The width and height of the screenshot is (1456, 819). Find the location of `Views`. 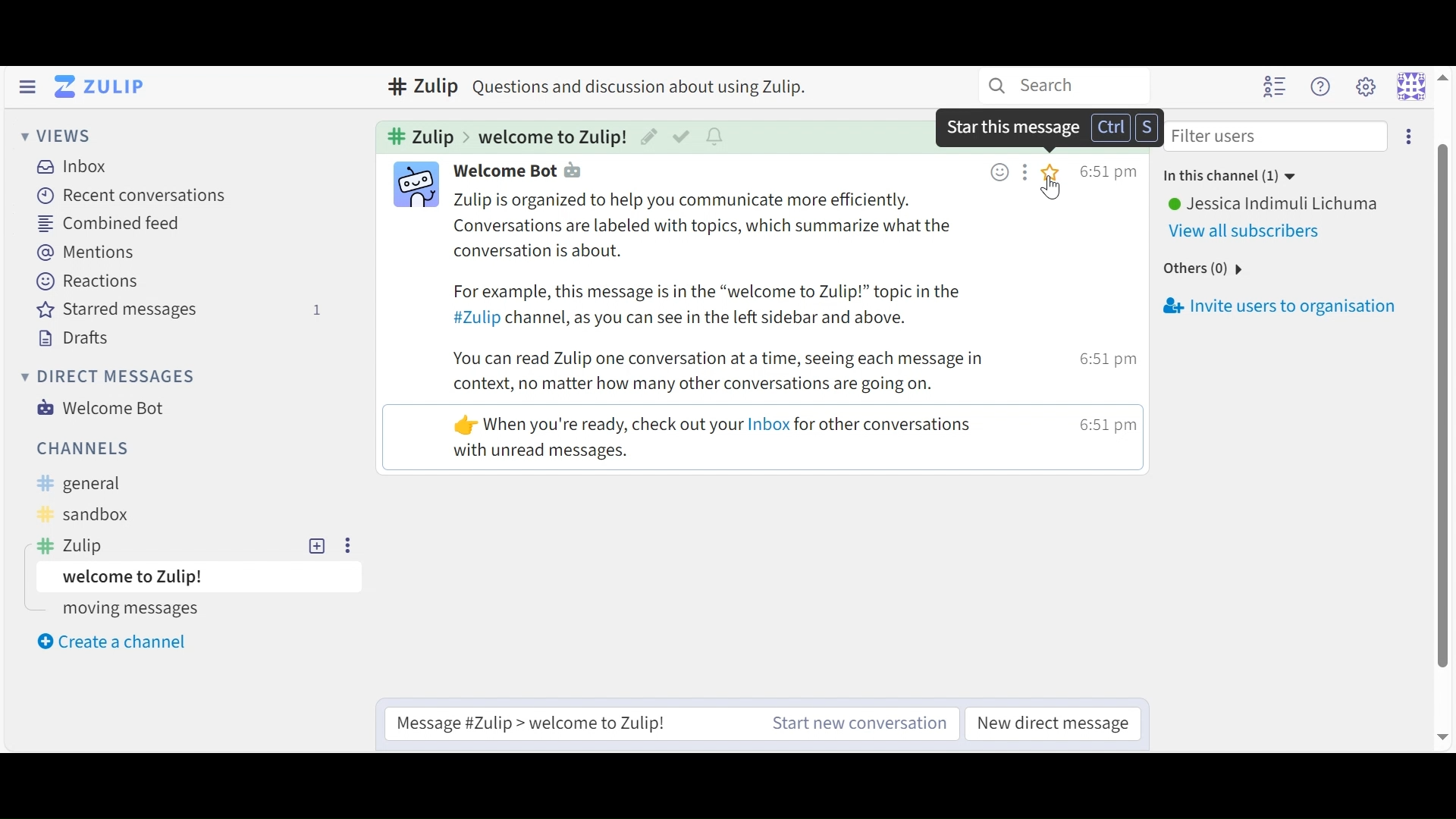

Views is located at coordinates (55, 135).